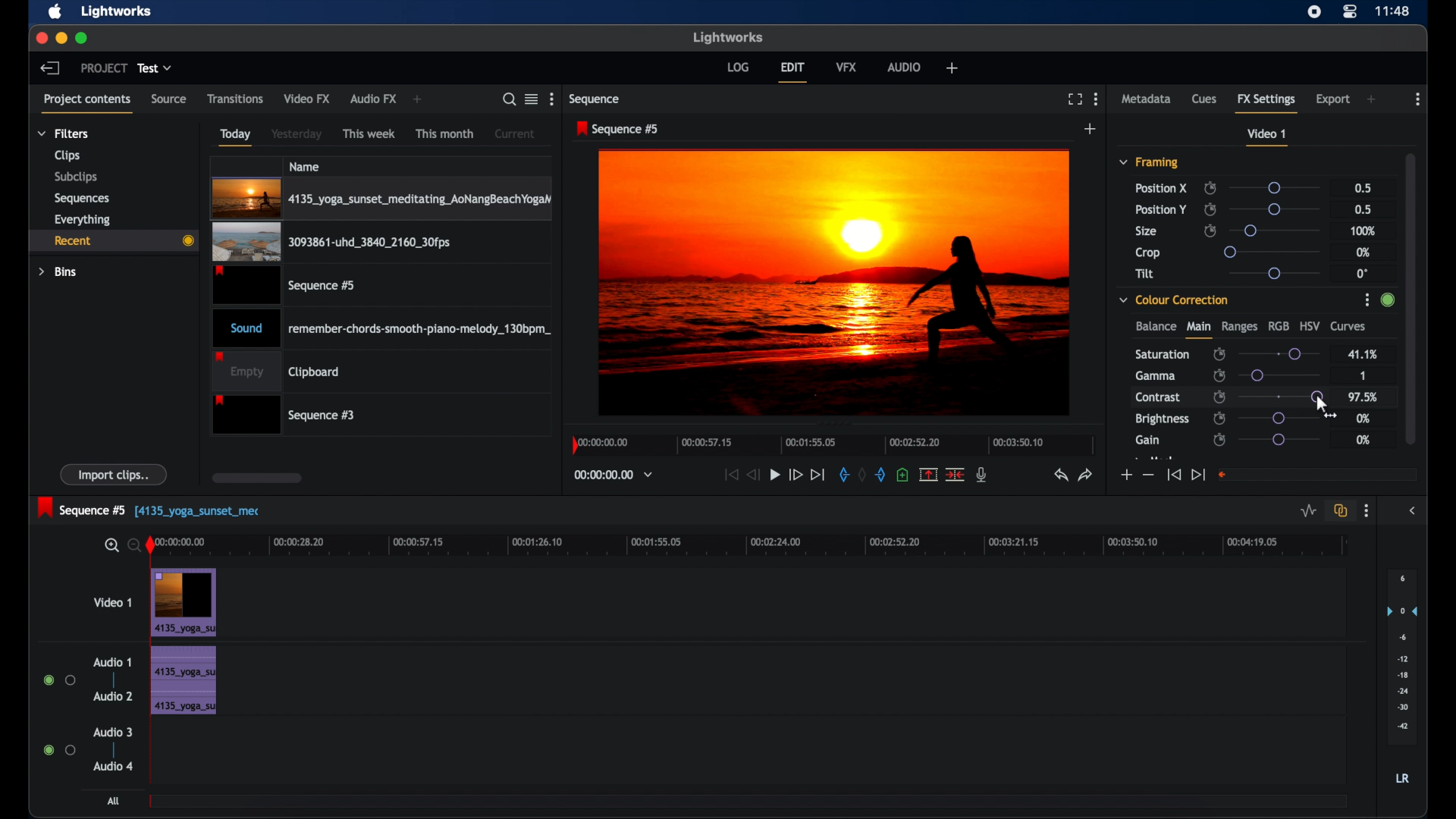  What do you see at coordinates (1096, 99) in the screenshot?
I see `more options` at bounding box center [1096, 99].